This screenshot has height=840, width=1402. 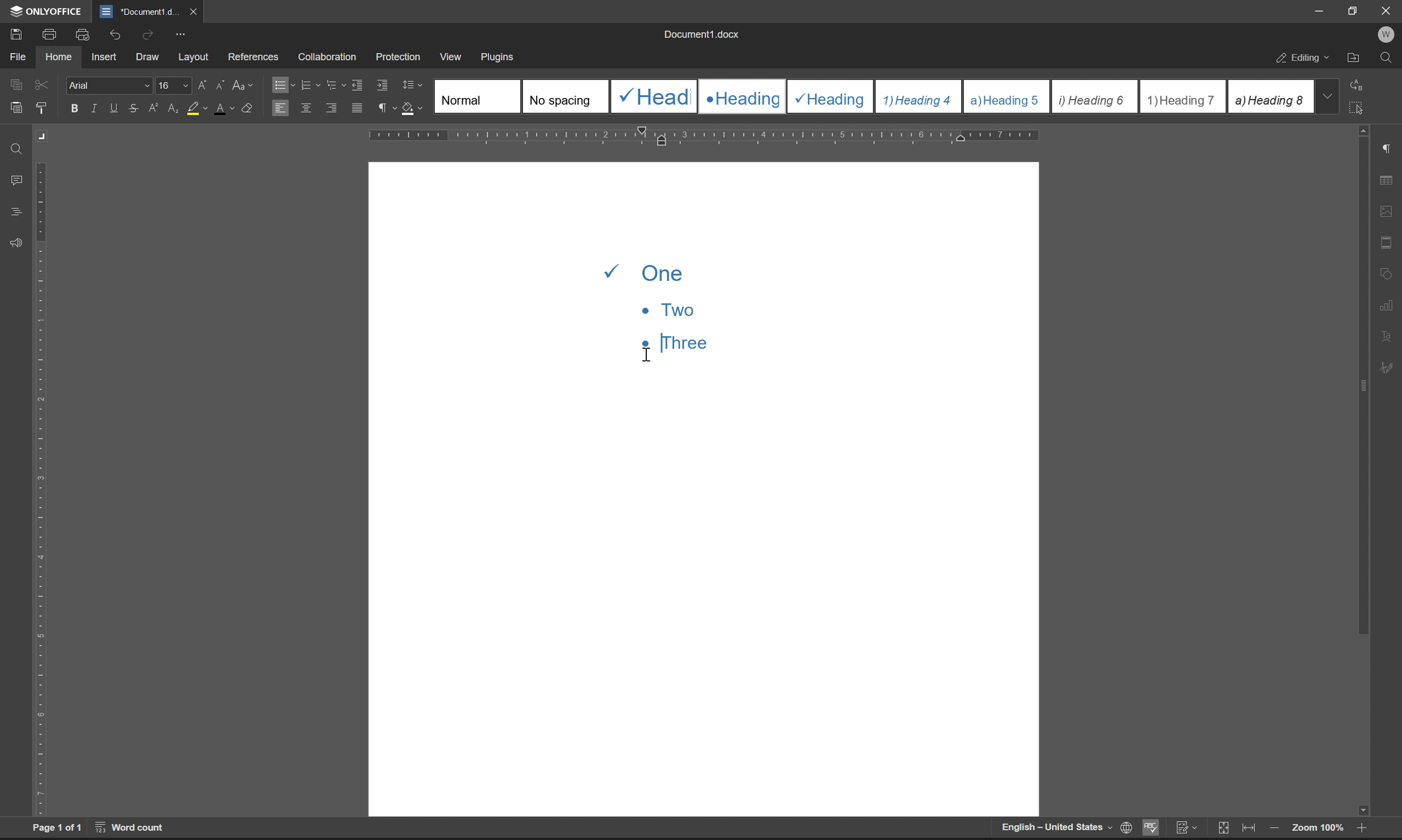 I want to click on word count, so click(x=131, y=827).